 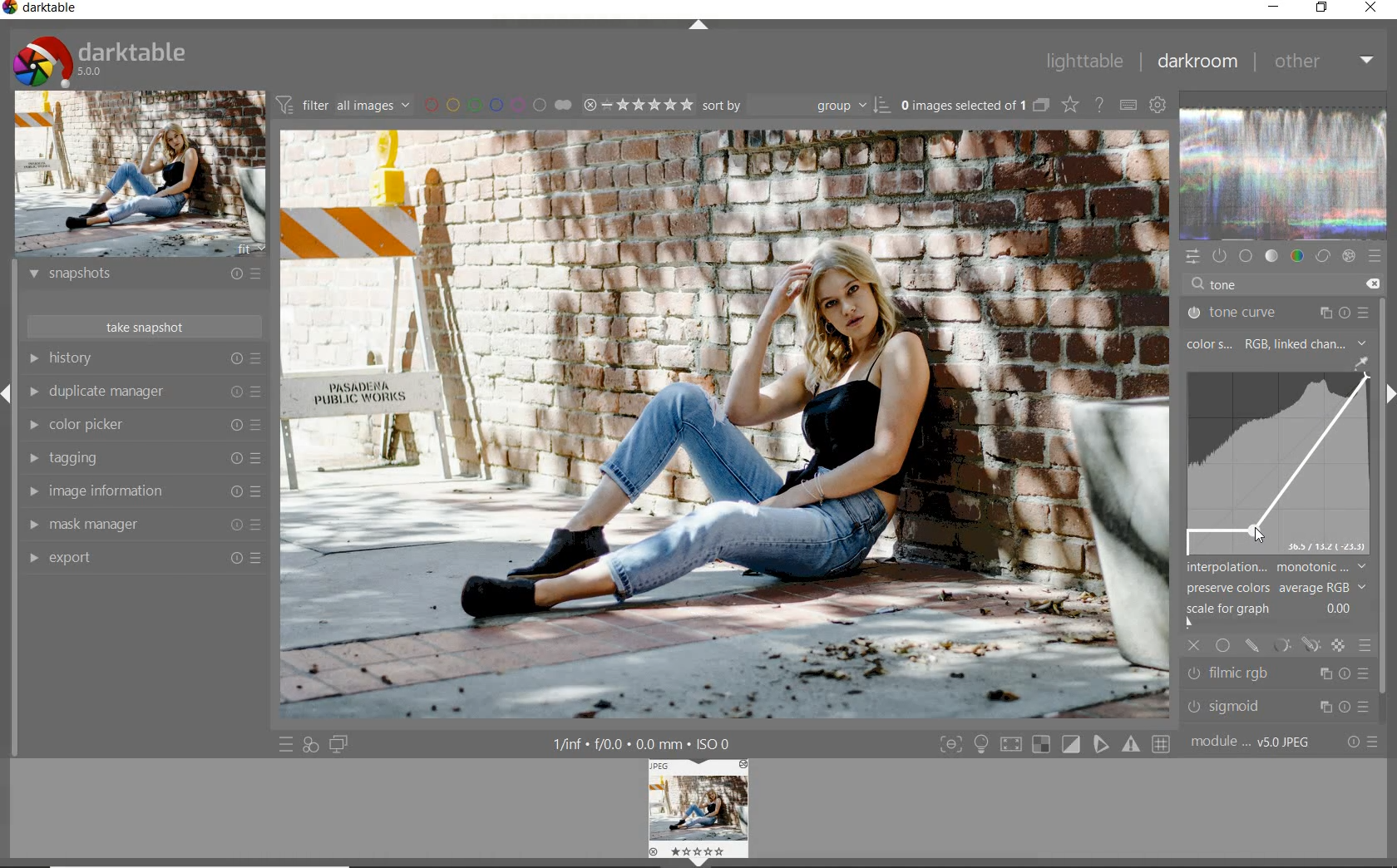 I want to click on uniformly, so click(x=1222, y=644).